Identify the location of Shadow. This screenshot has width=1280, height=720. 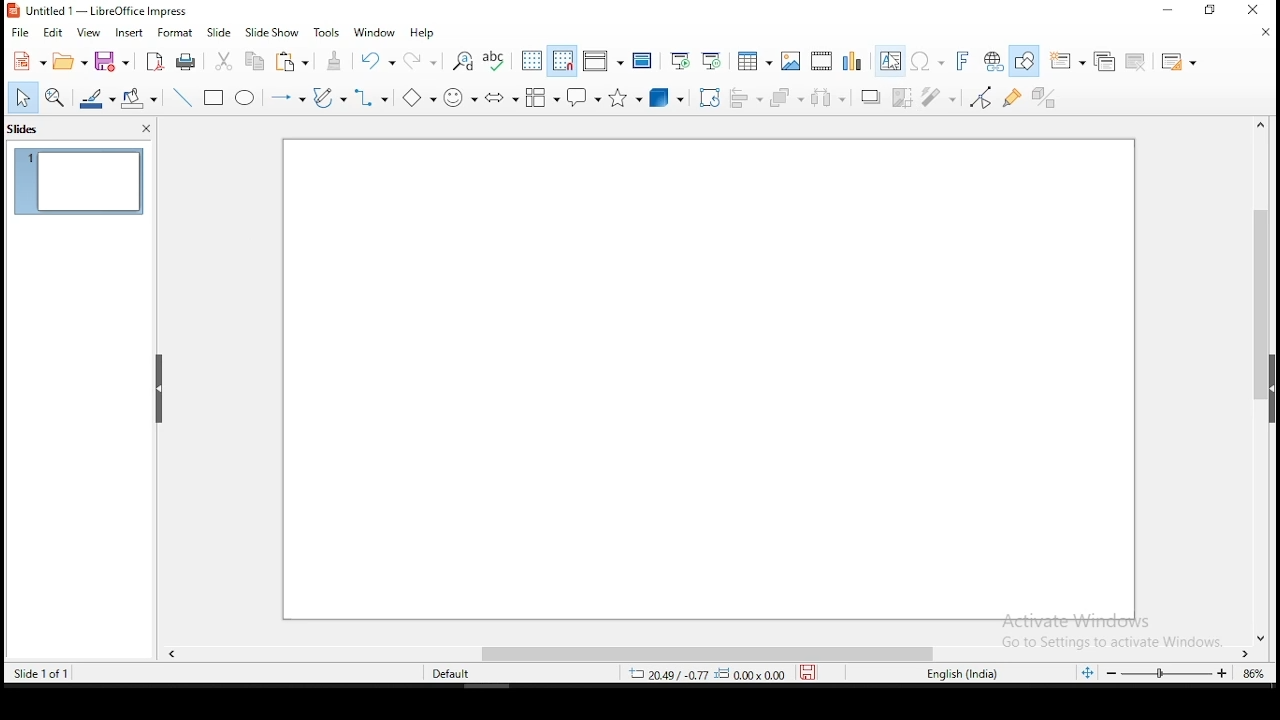
(871, 98).